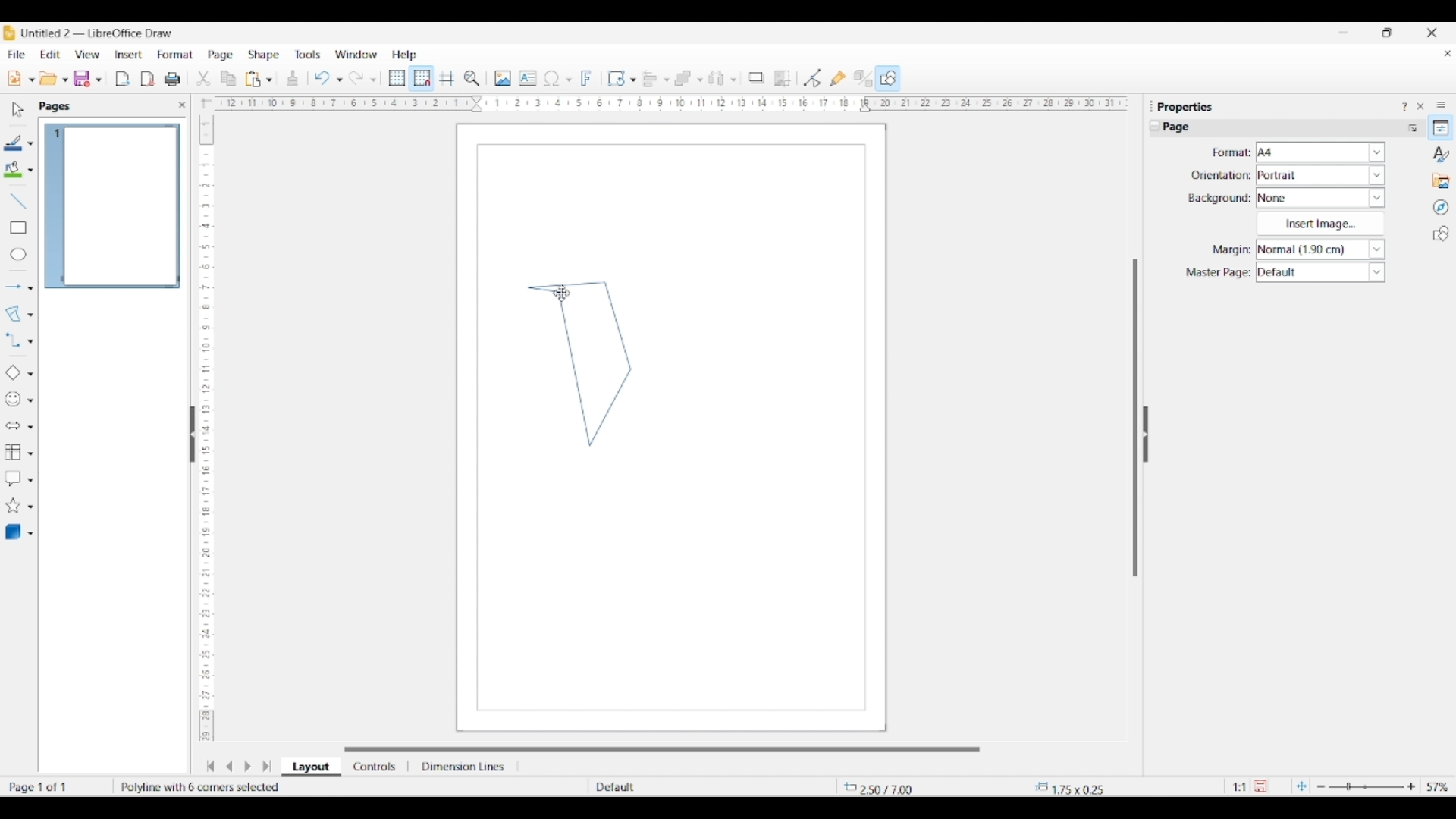  Describe the element at coordinates (1320, 224) in the screenshot. I see `Insert image` at that location.